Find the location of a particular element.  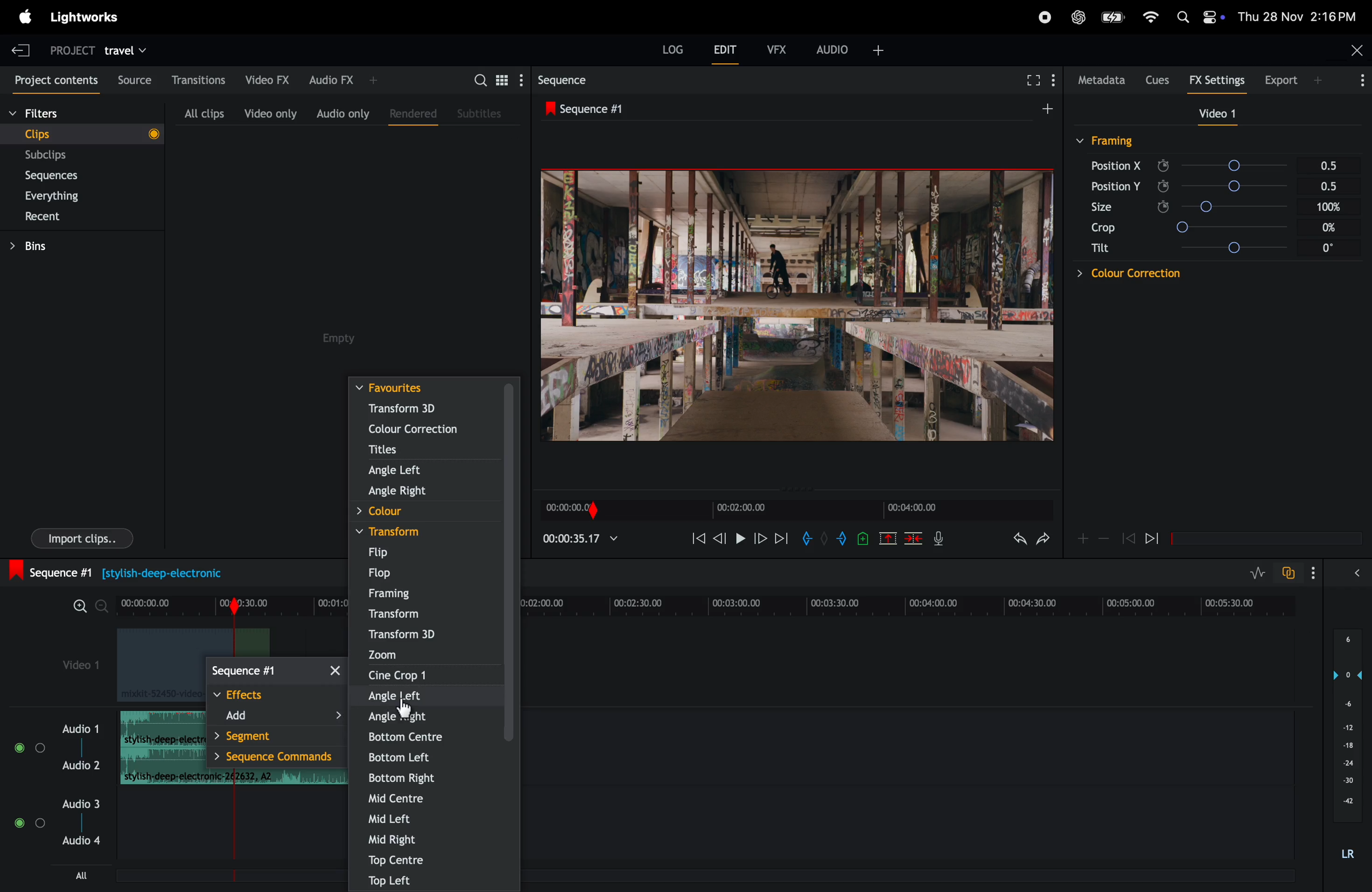

light works is located at coordinates (91, 16).